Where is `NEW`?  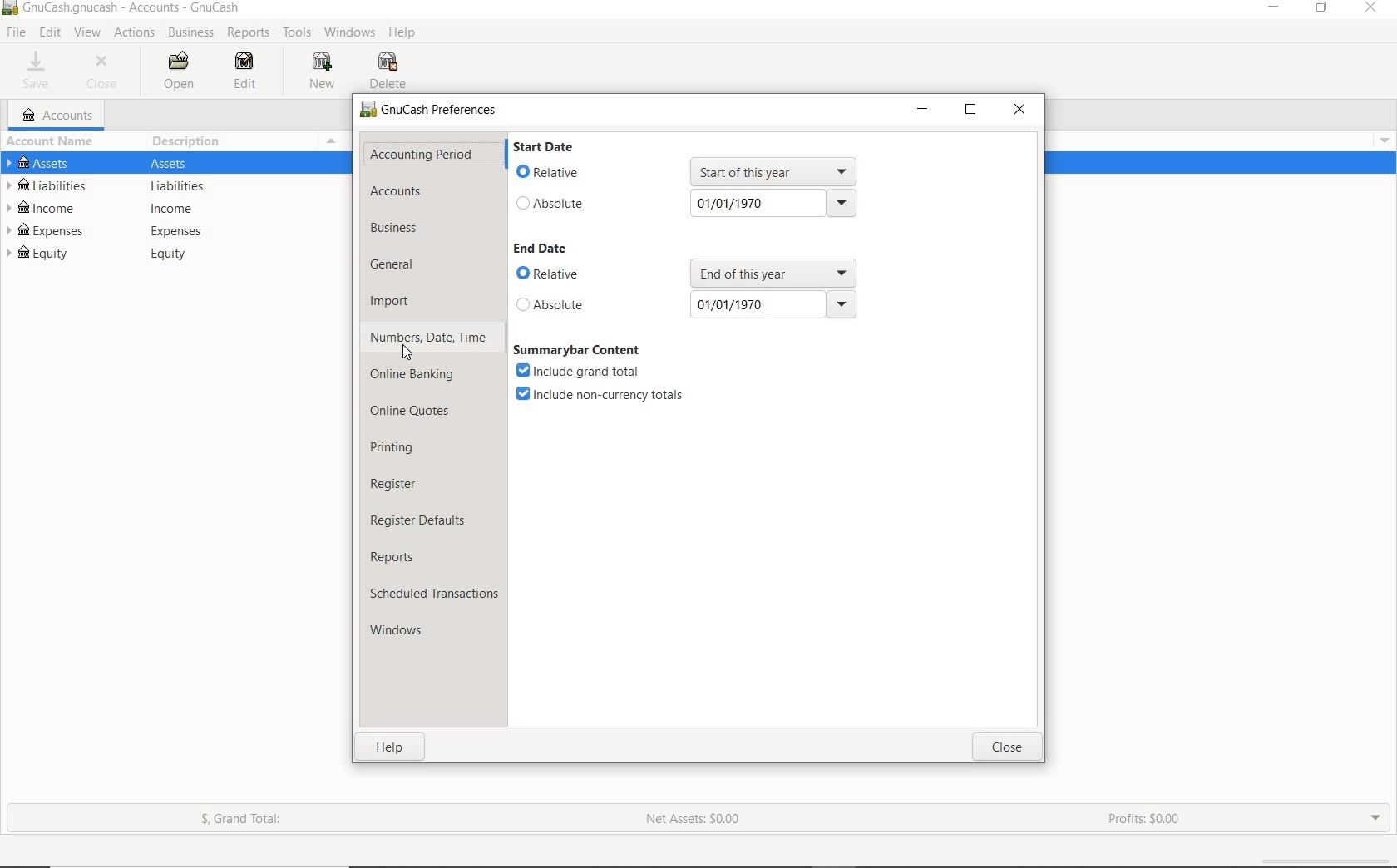 NEW is located at coordinates (325, 71).